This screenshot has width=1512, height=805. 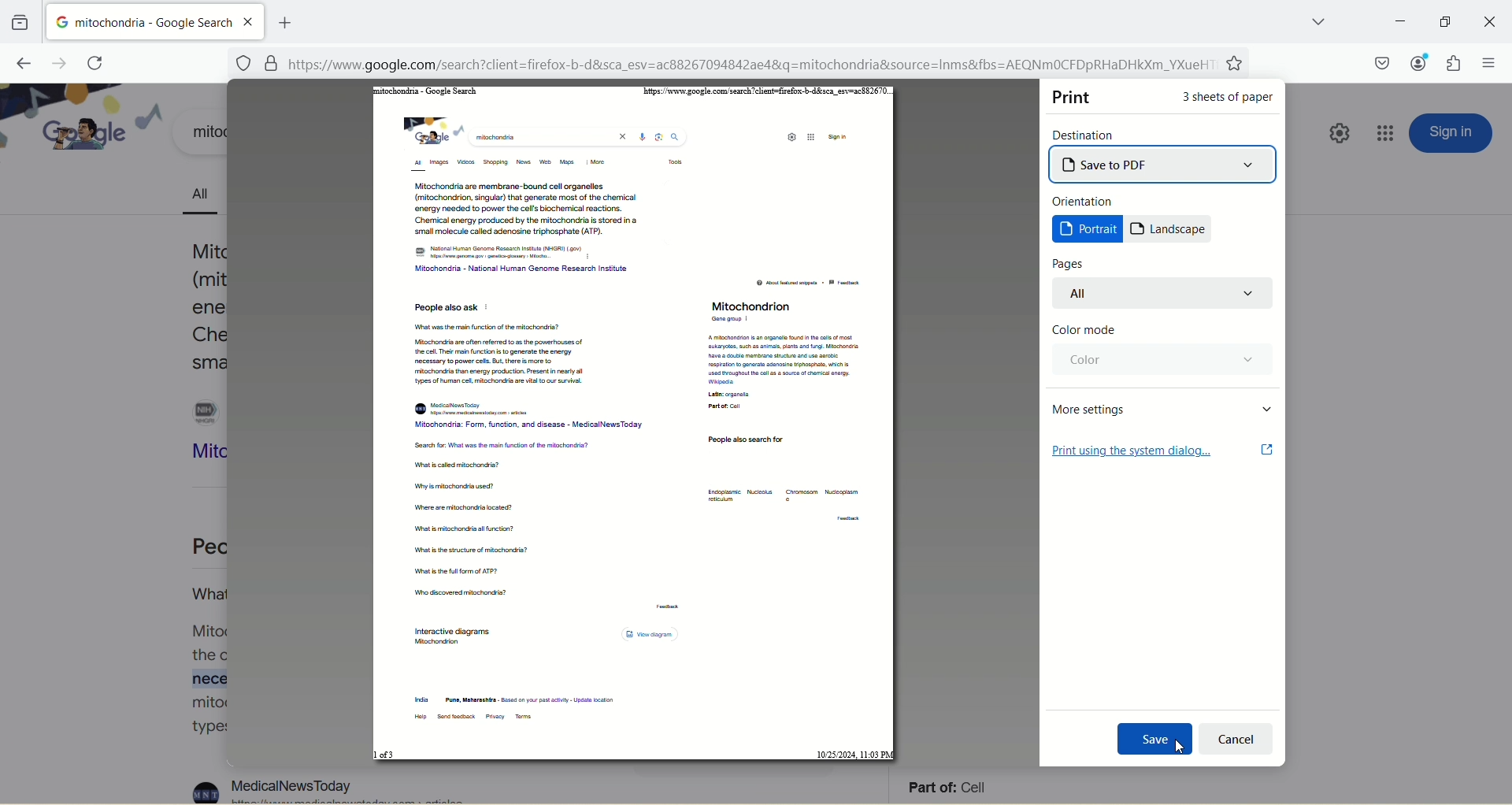 I want to click on portrait, so click(x=1088, y=229).